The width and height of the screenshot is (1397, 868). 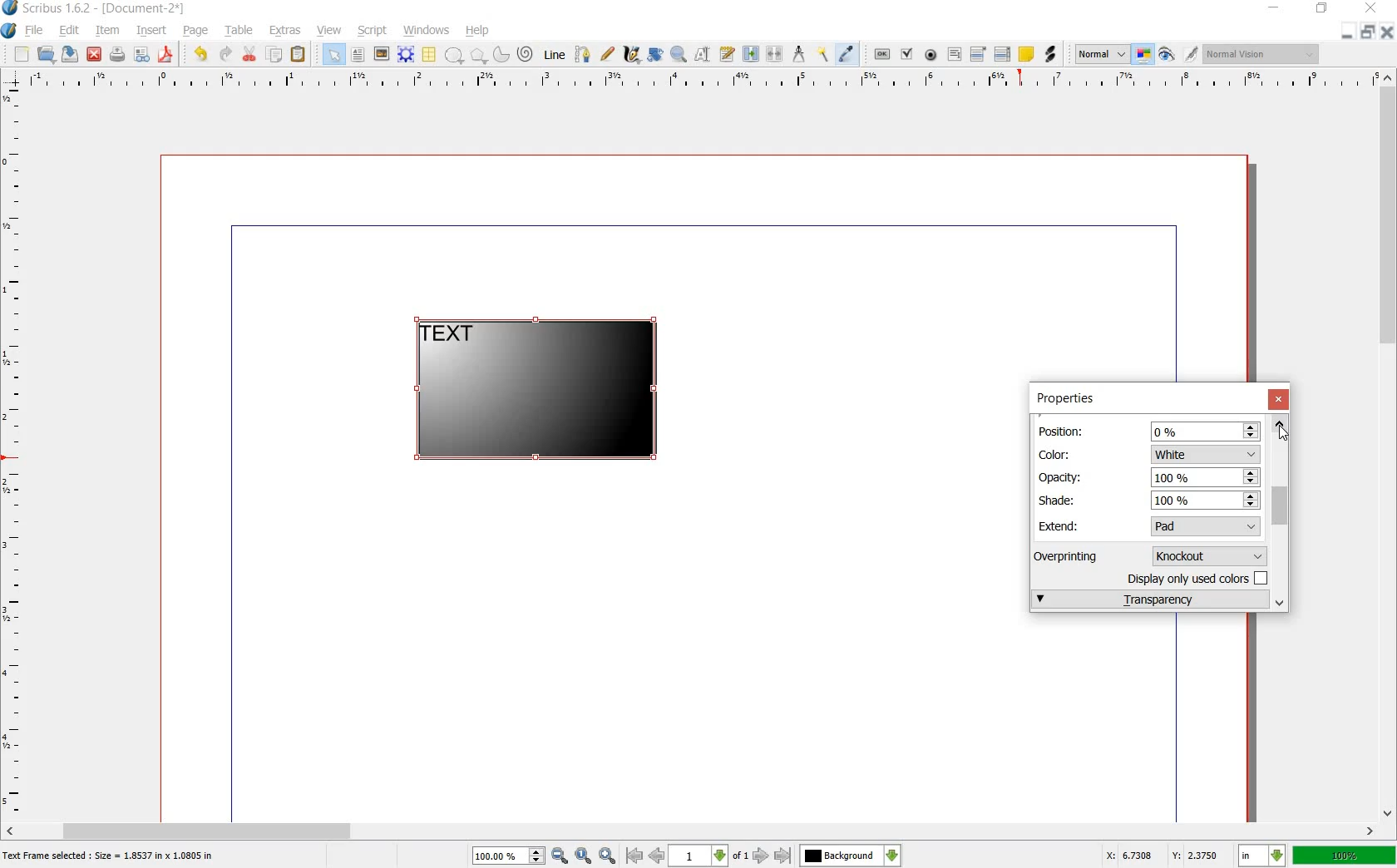 What do you see at coordinates (165, 55) in the screenshot?
I see `save as pdf` at bounding box center [165, 55].